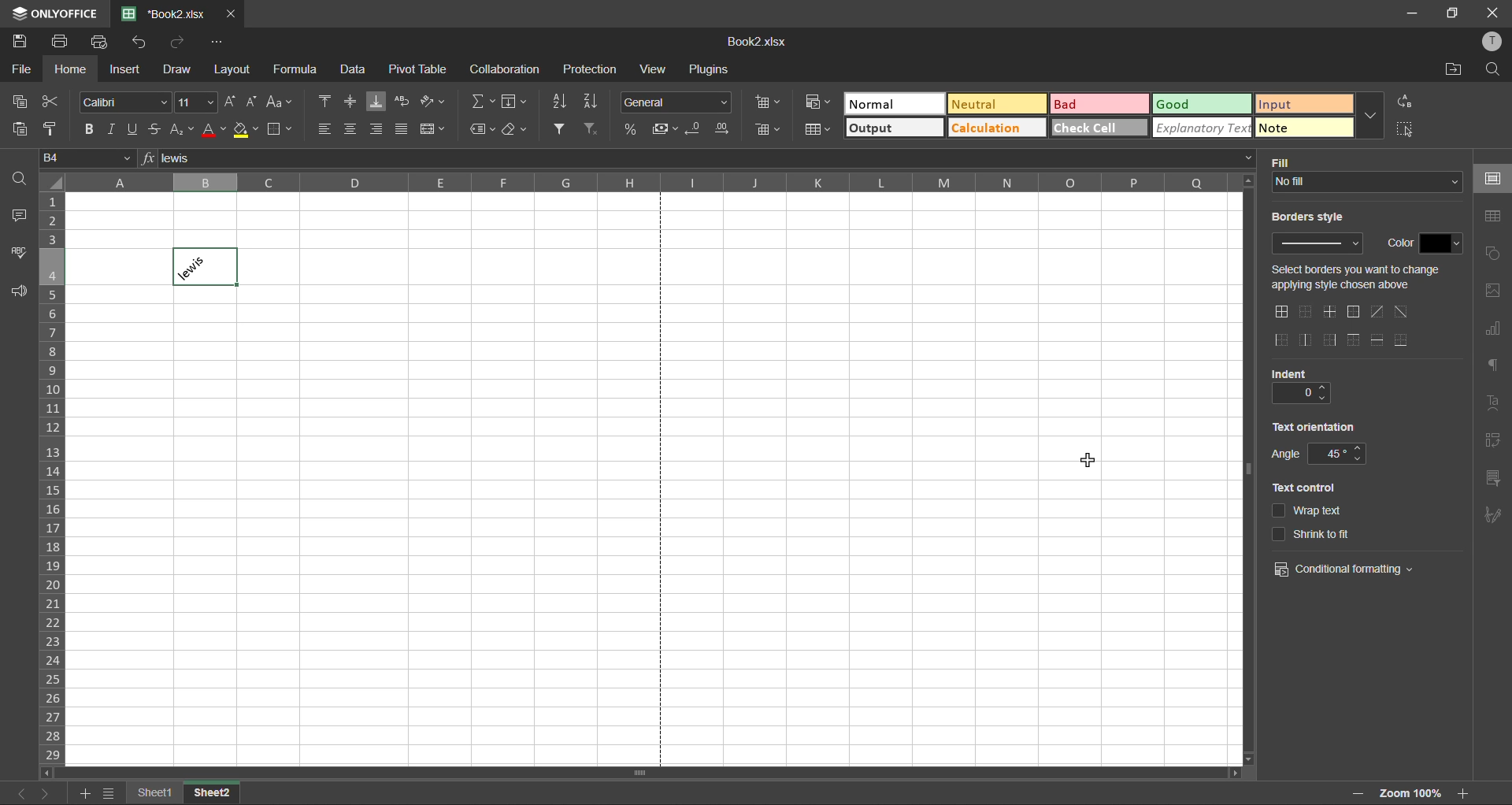 The image size is (1512, 805). Describe the element at coordinates (995, 104) in the screenshot. I see `neutral` at that location.